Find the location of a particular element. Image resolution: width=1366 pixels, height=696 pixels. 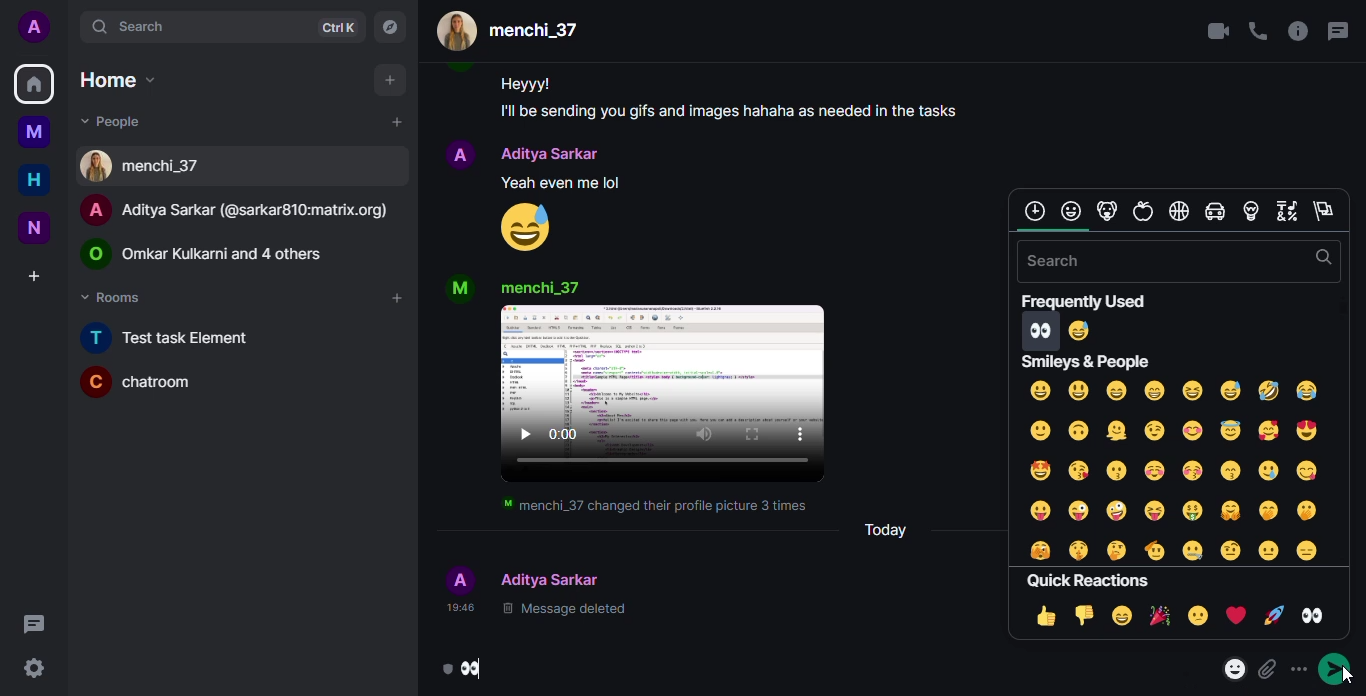

celebrate is located at coordinates (1159, 617).